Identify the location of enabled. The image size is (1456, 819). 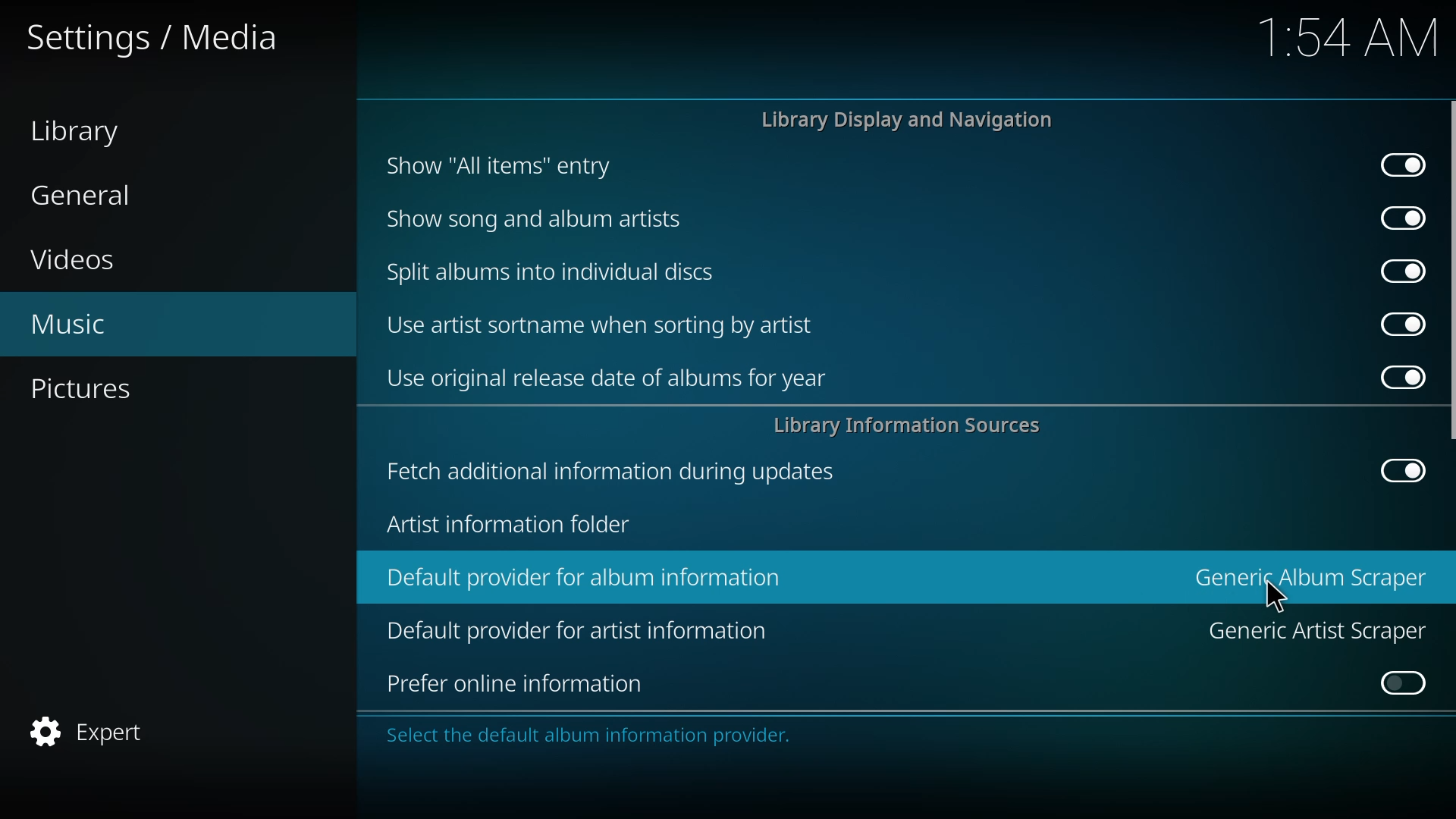
(1397, 162).